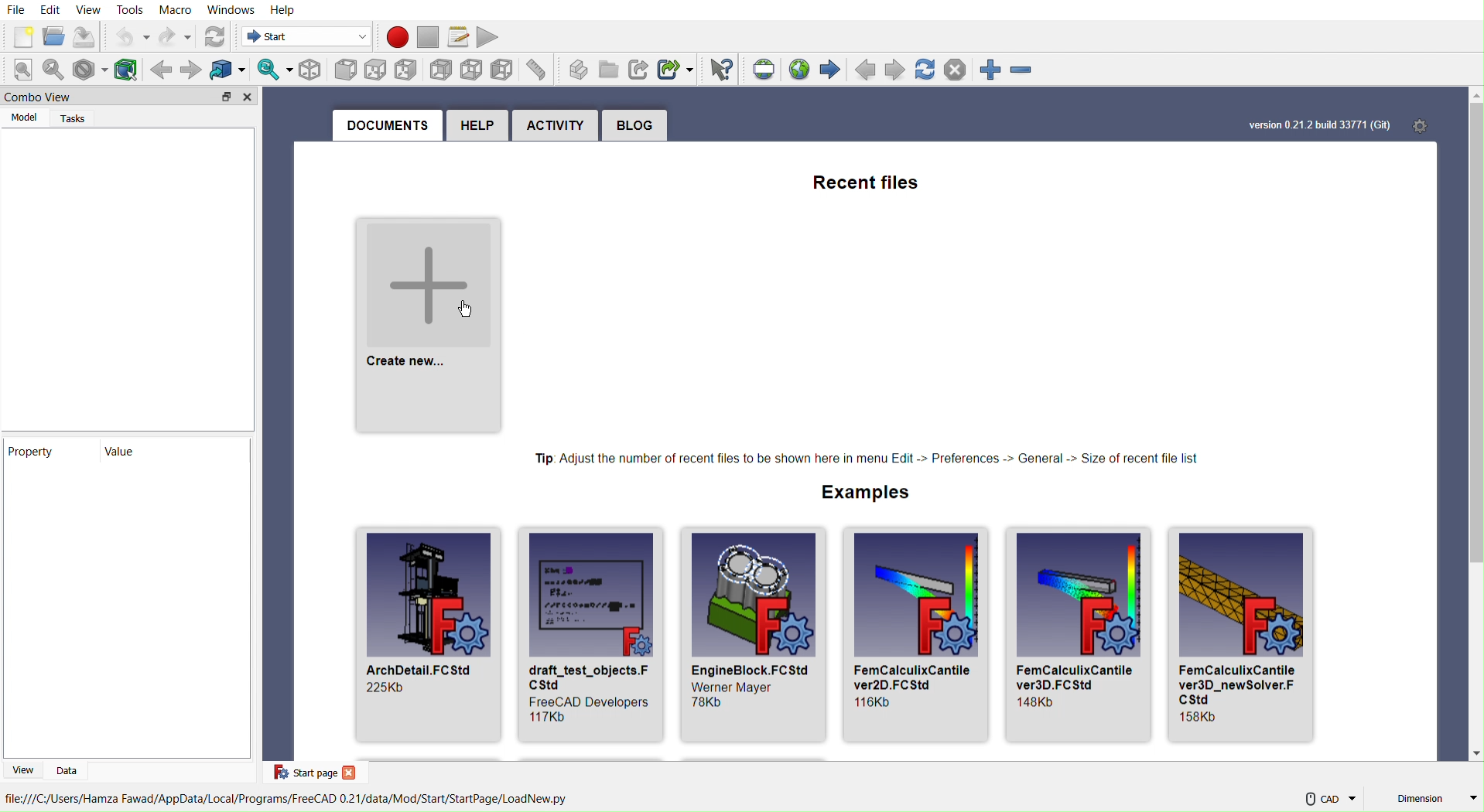 Image resolution: width=1484 pixels, height=812 pixels. I want to click on Create new project, so click(427, 319).